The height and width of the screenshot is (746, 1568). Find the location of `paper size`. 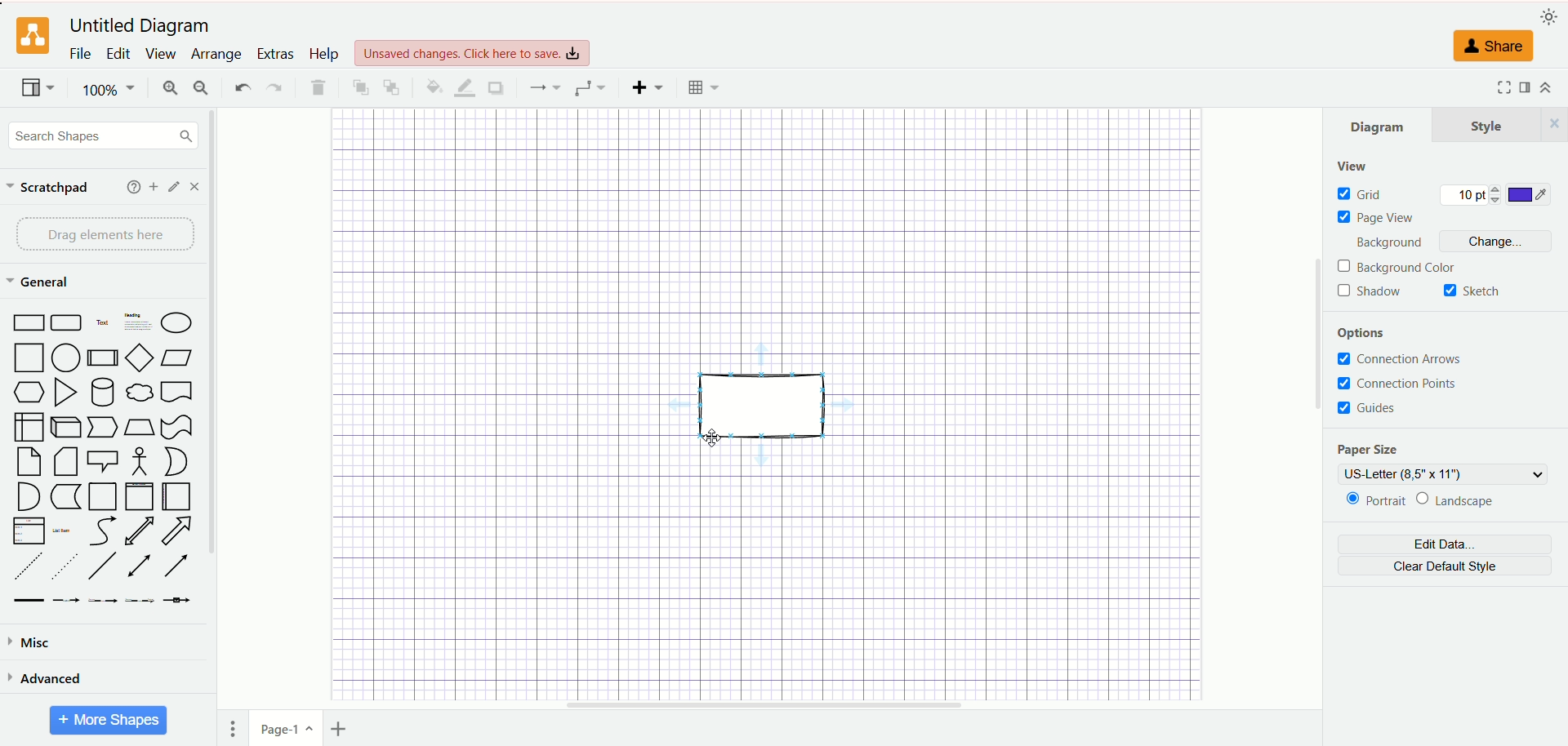

paper size is located at coordinates (1381, 448).